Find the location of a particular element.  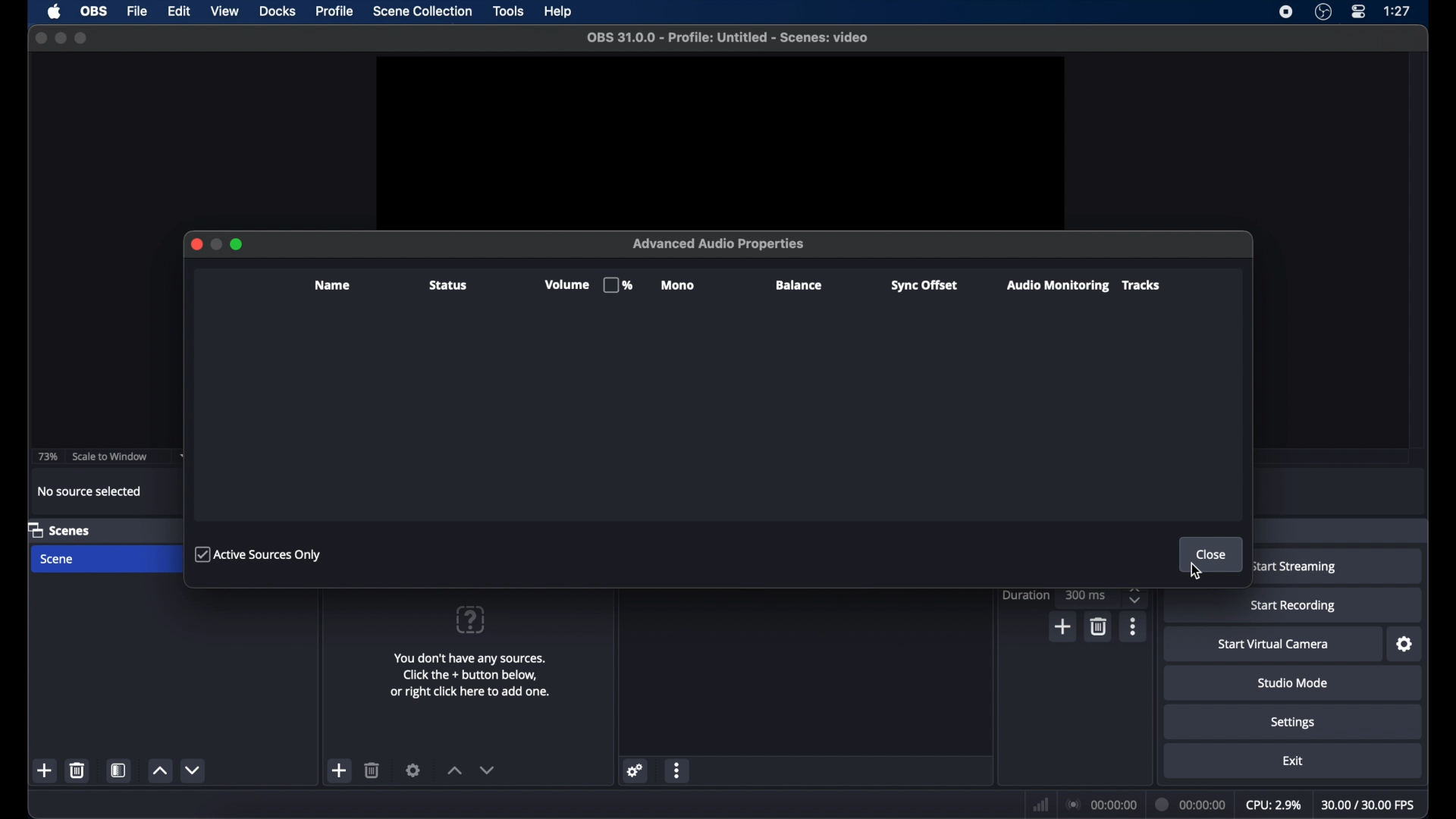

cpu is located at coordinates (1272, 805).